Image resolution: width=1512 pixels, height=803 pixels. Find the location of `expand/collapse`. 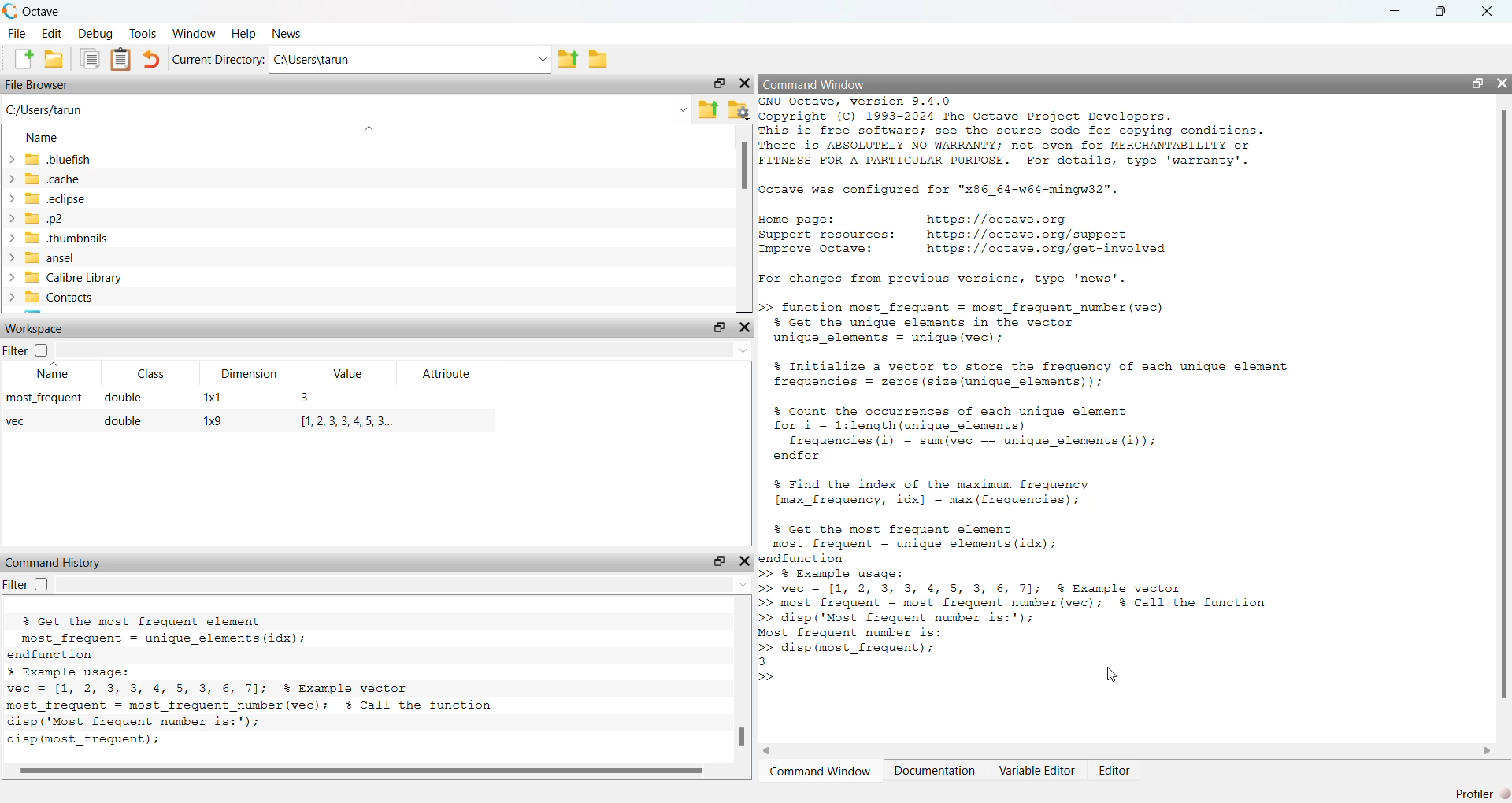

expand/collapse is located at coordinates (10, 230).